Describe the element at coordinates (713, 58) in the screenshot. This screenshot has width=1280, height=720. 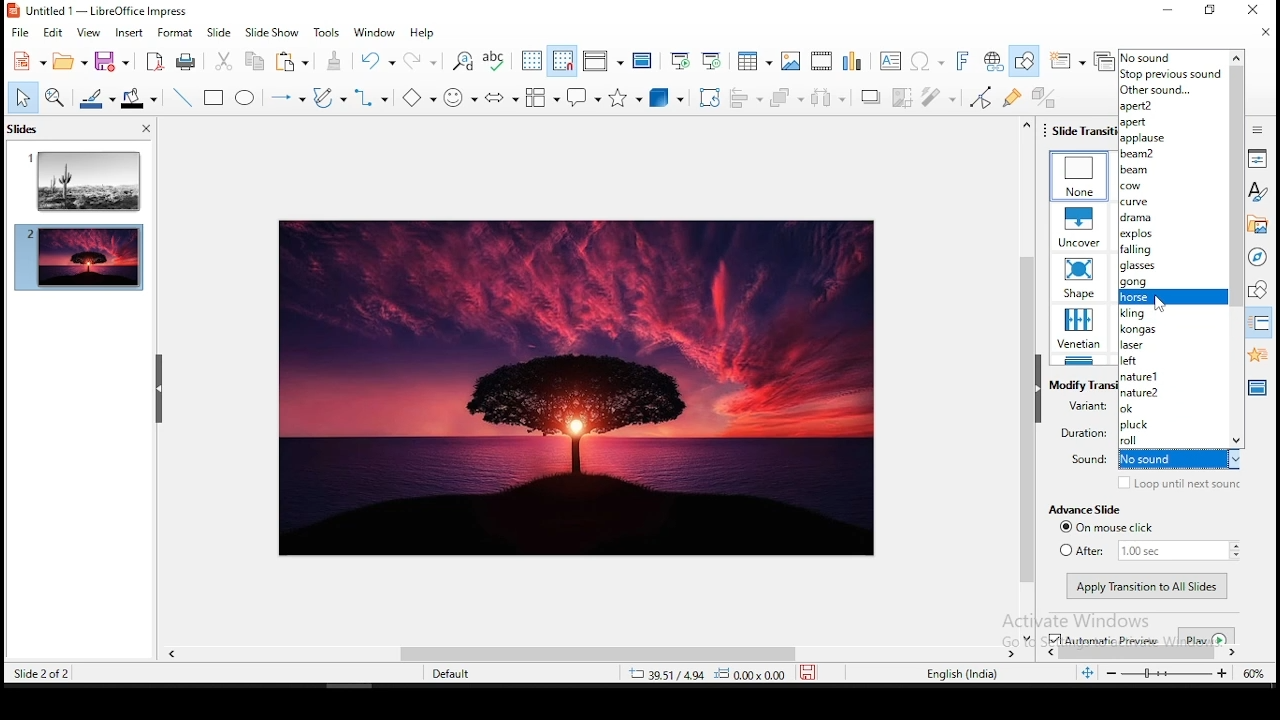
I see `start from current slide` at that location.